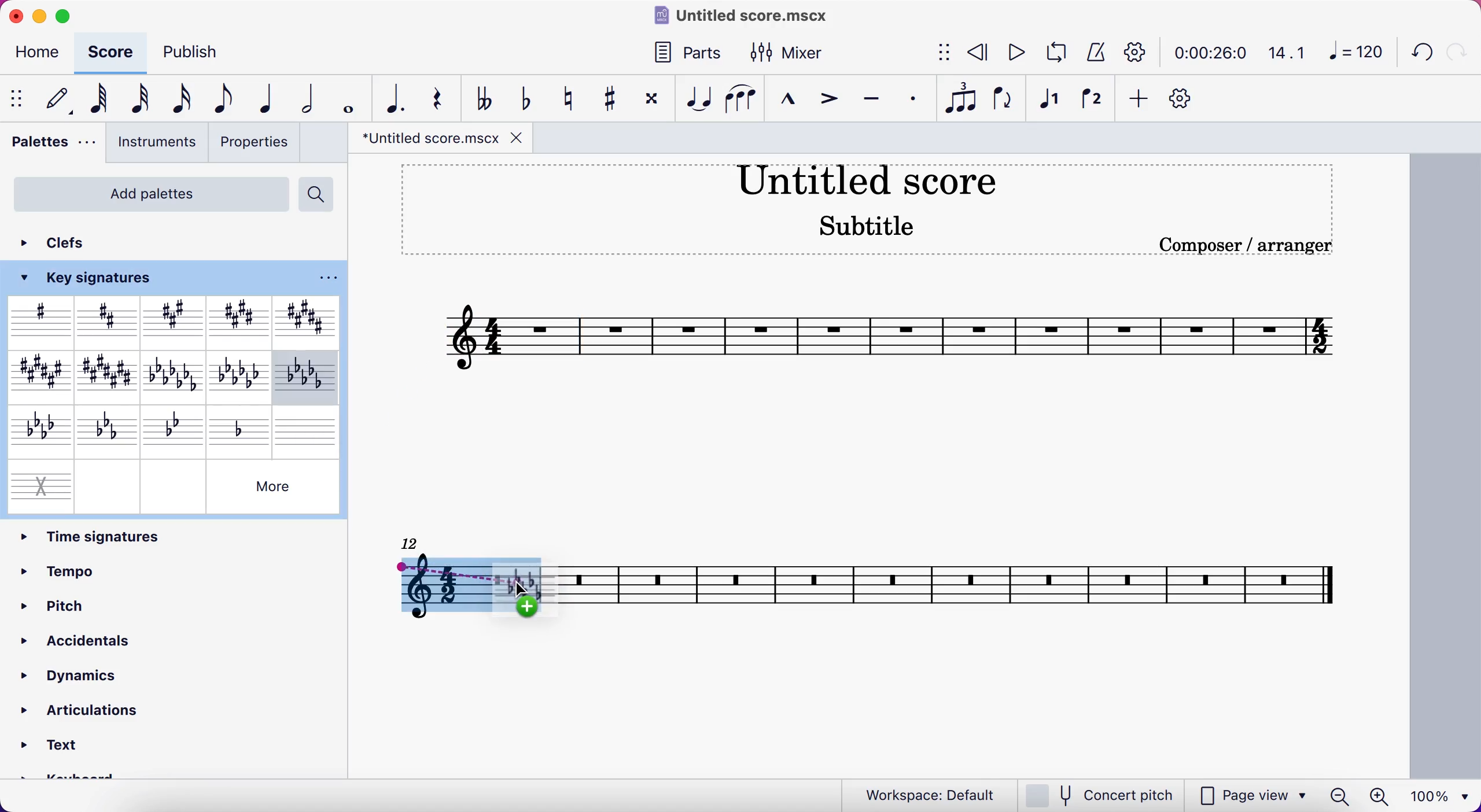  What do you see at coordinates (107, 430) in the screenshot?
I see `C minor` at bounding box center [107, 430].